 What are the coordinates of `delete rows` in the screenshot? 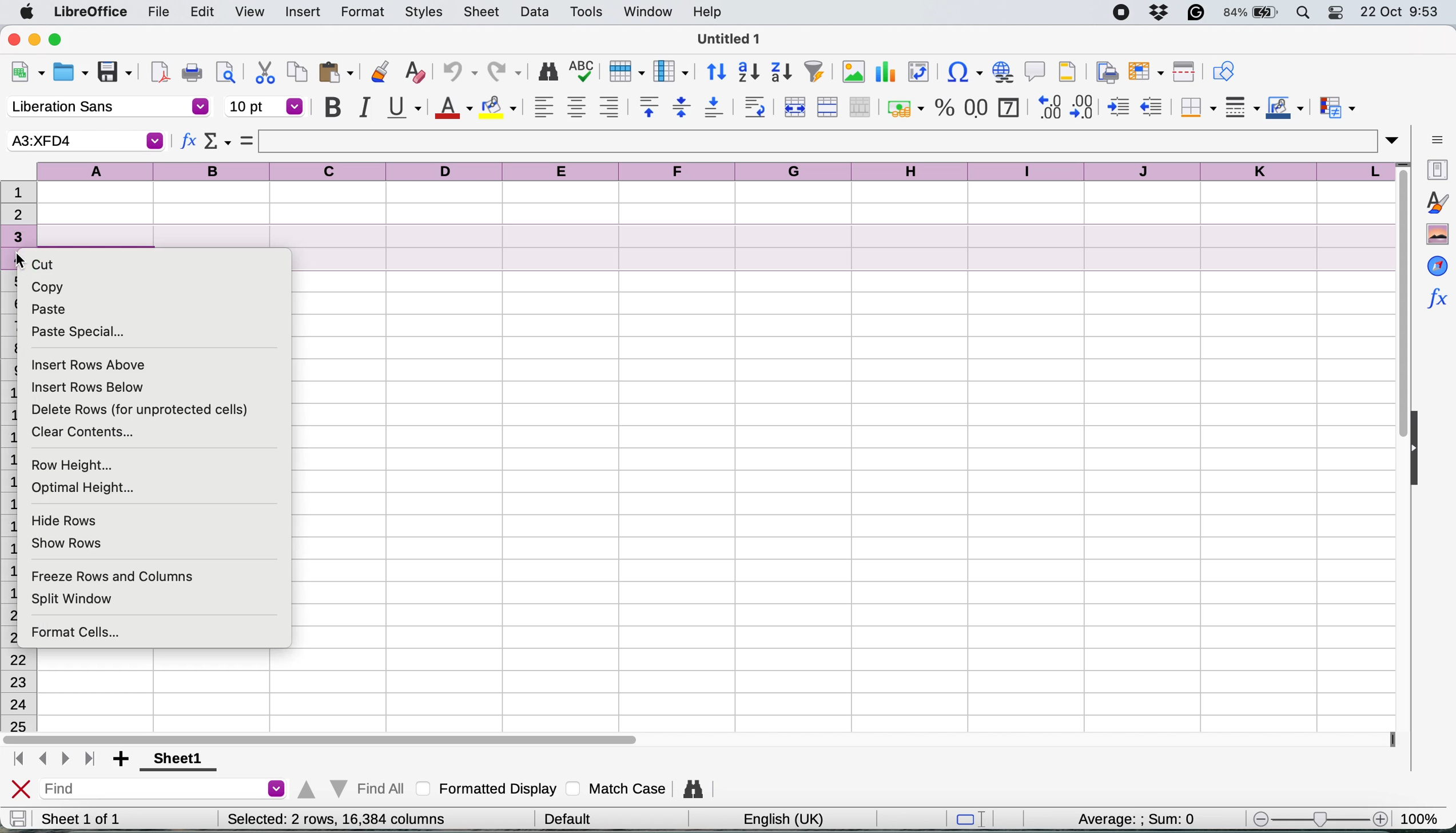 It's located at (141, 411).